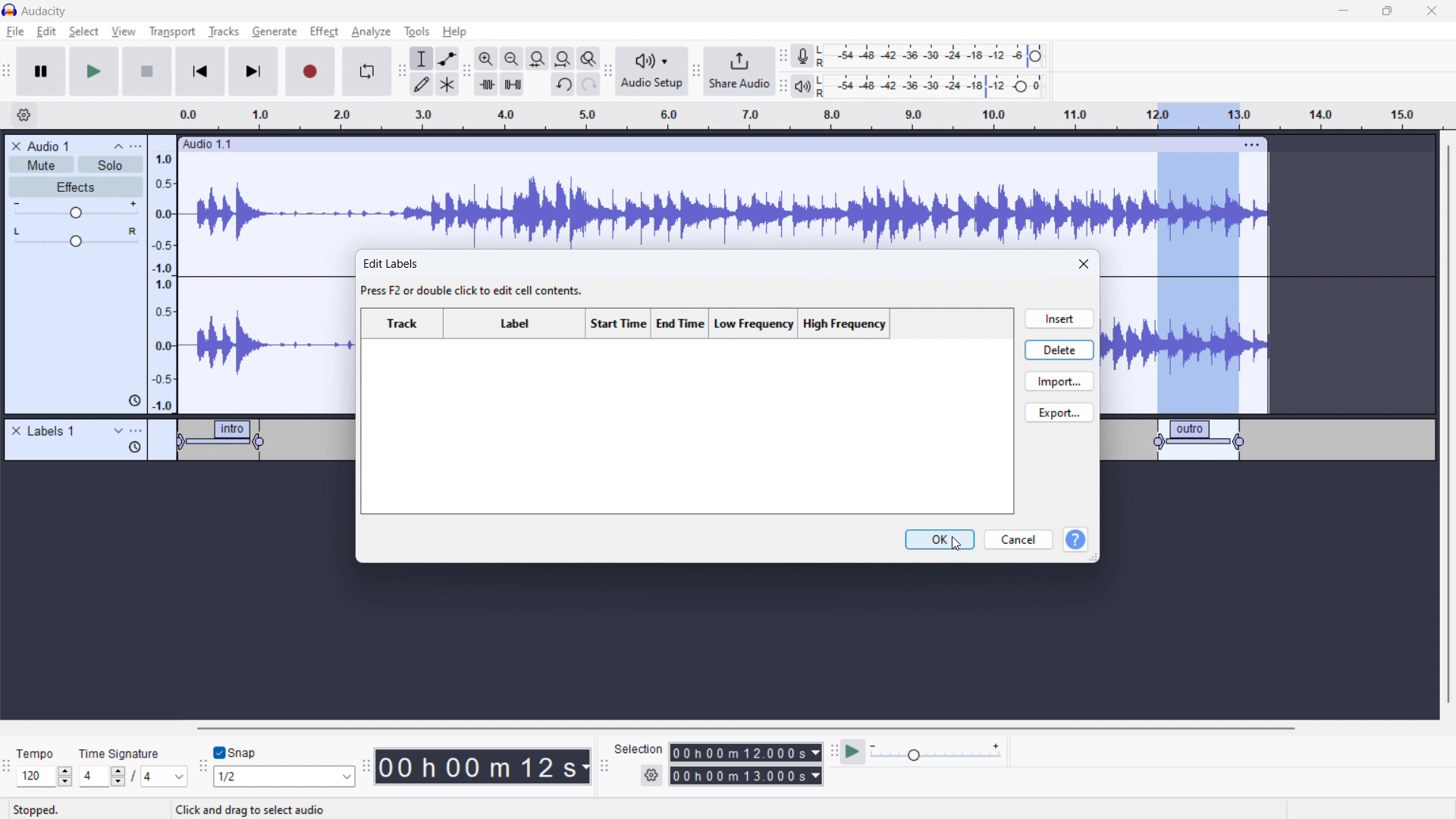  I want to click on stop, so click(147, 71).